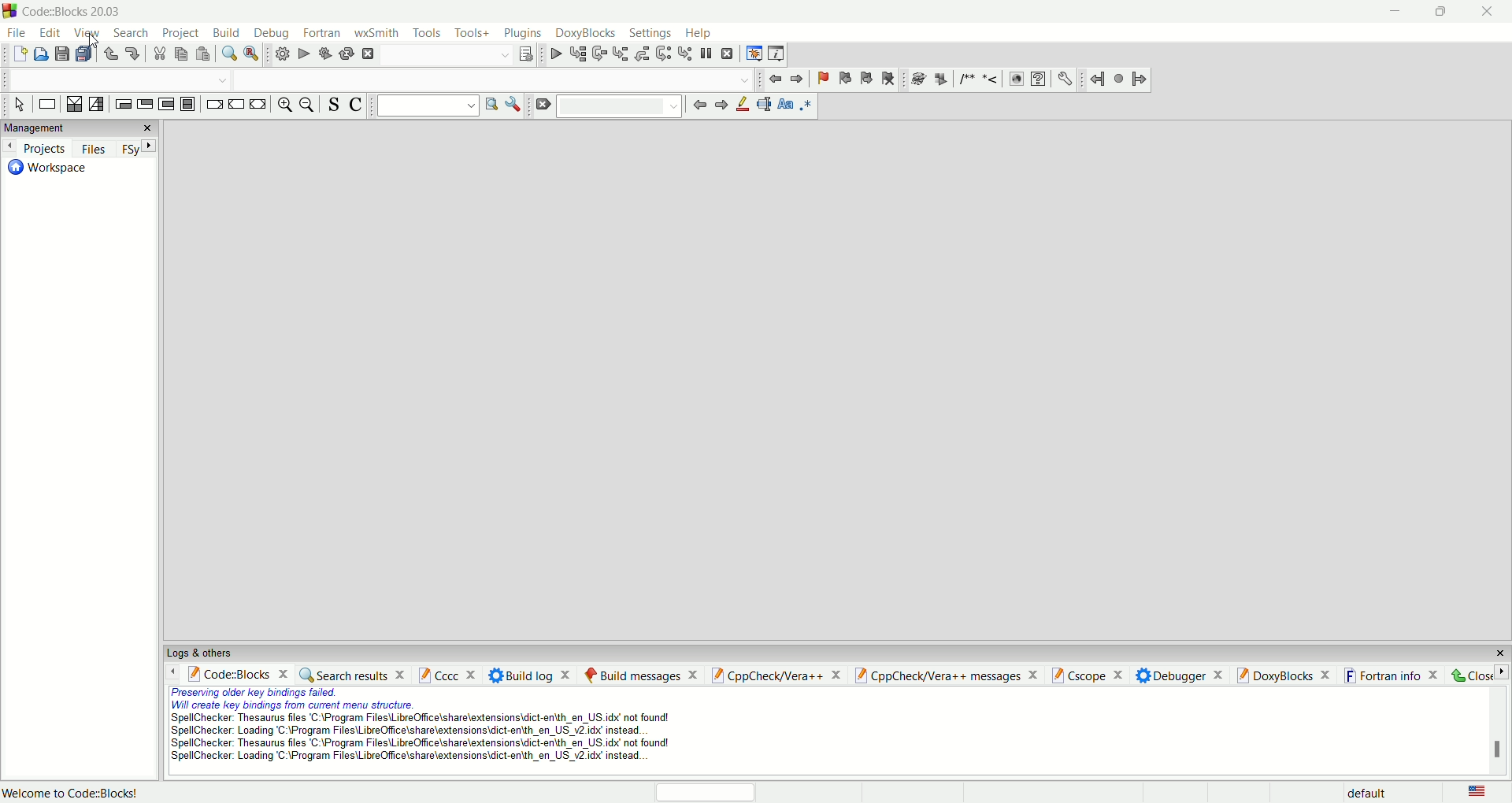 This screenshot has height=803, width=1512. What do you see at coordinates (1284, 675) in the screenshot?
I see `doxyblocks` at bounding box center [1284, 675].